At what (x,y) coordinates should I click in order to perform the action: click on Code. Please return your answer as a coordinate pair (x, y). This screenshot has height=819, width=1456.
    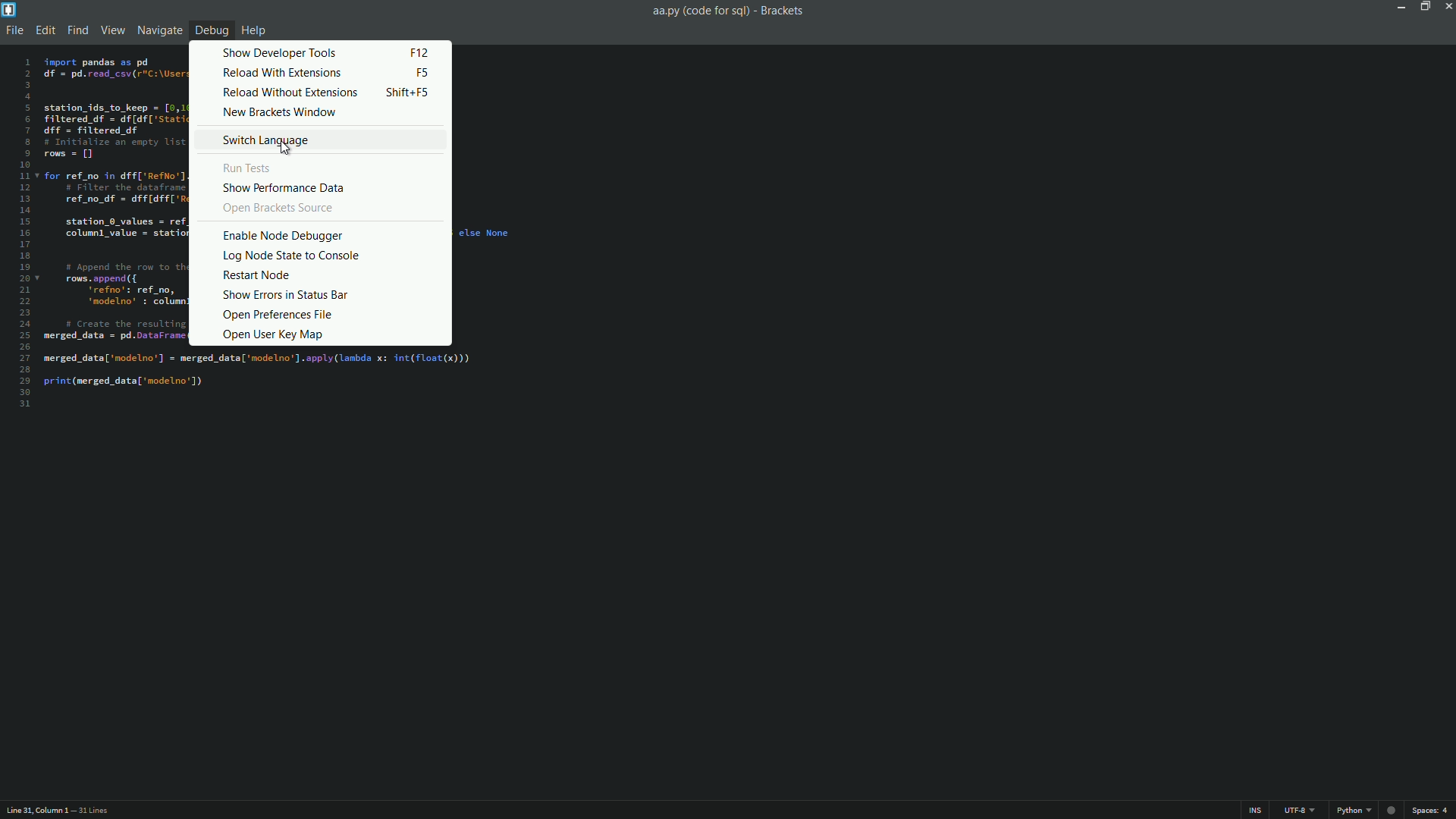
    Looking at the image, I should click on (268, 380).